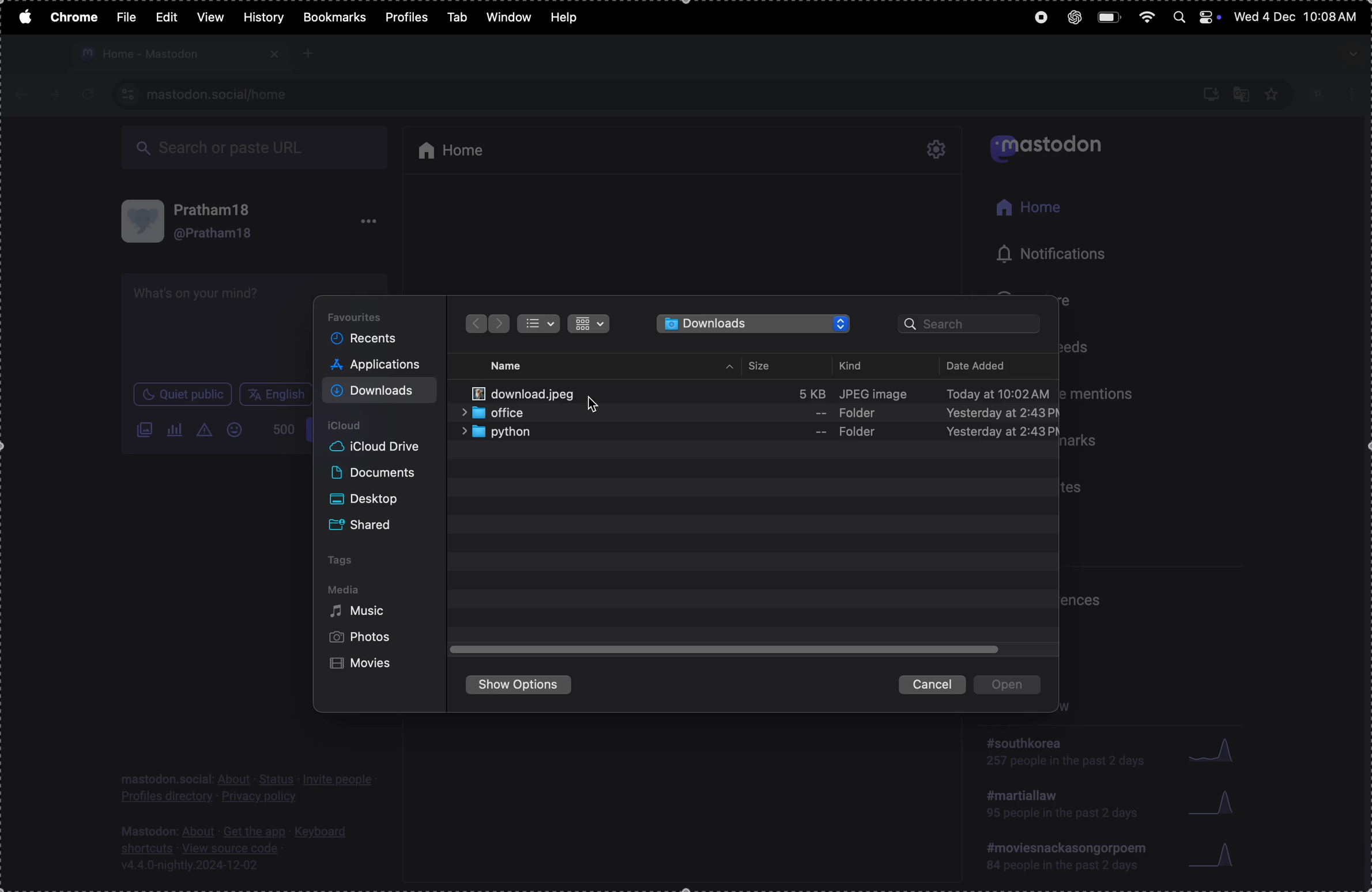 The image size is (1372, 892). I want to click on cancel, so click(932, 683).